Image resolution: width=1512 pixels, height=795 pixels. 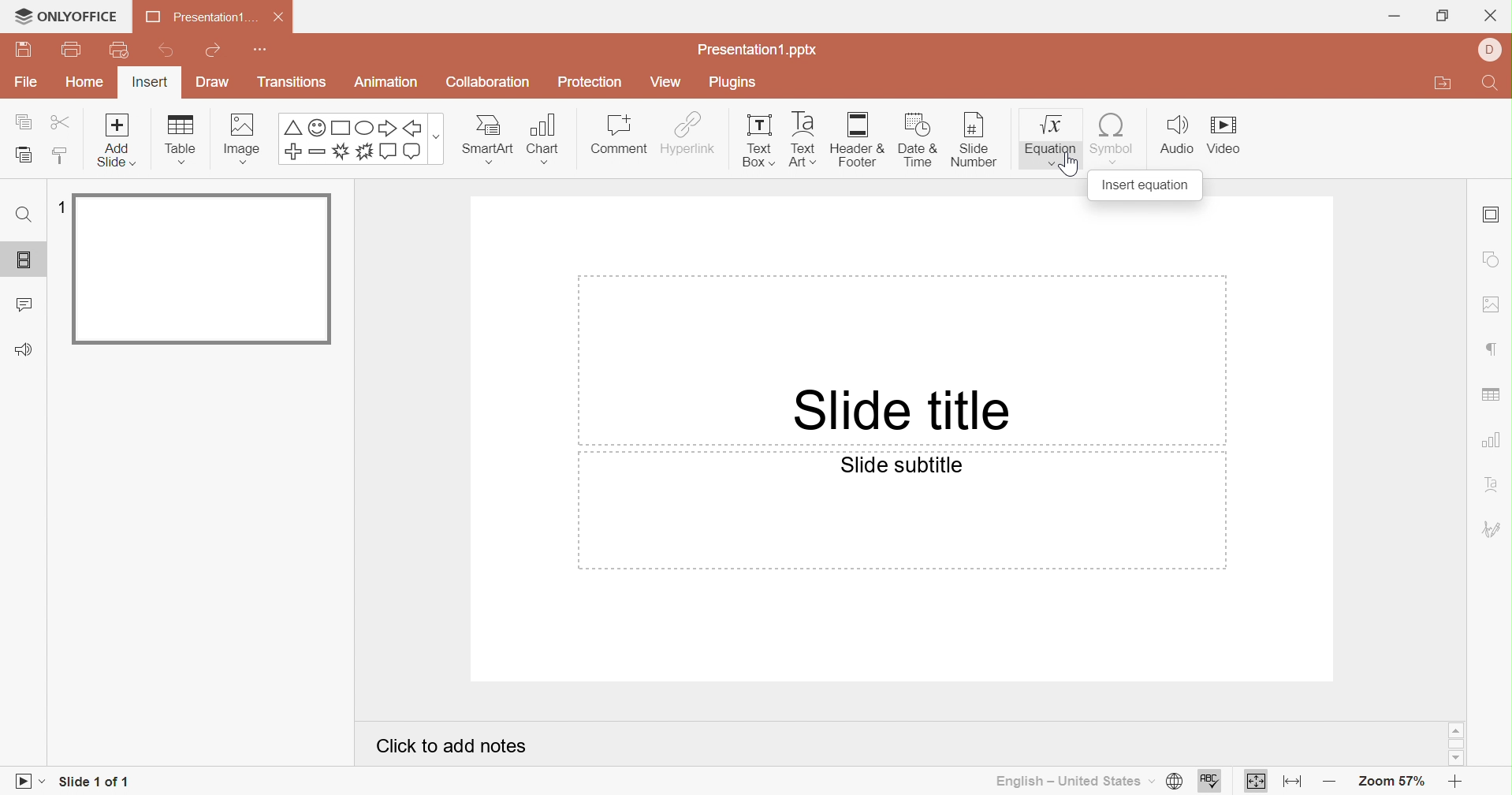 What do you see at coordinates (259, 48) in the screenshot?
I see `Customize quick access toolbar` at bounding box center [259, 48].